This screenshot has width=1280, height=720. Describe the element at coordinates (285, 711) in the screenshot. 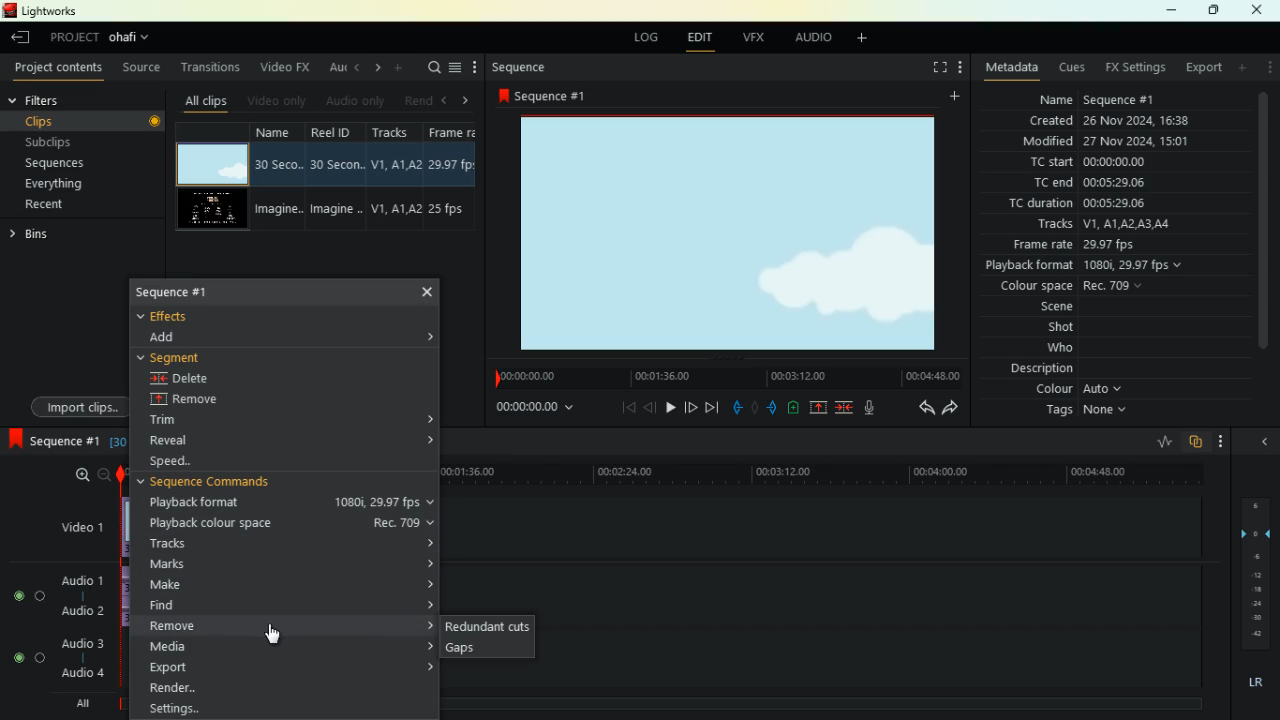

I see `Settings` at that location.